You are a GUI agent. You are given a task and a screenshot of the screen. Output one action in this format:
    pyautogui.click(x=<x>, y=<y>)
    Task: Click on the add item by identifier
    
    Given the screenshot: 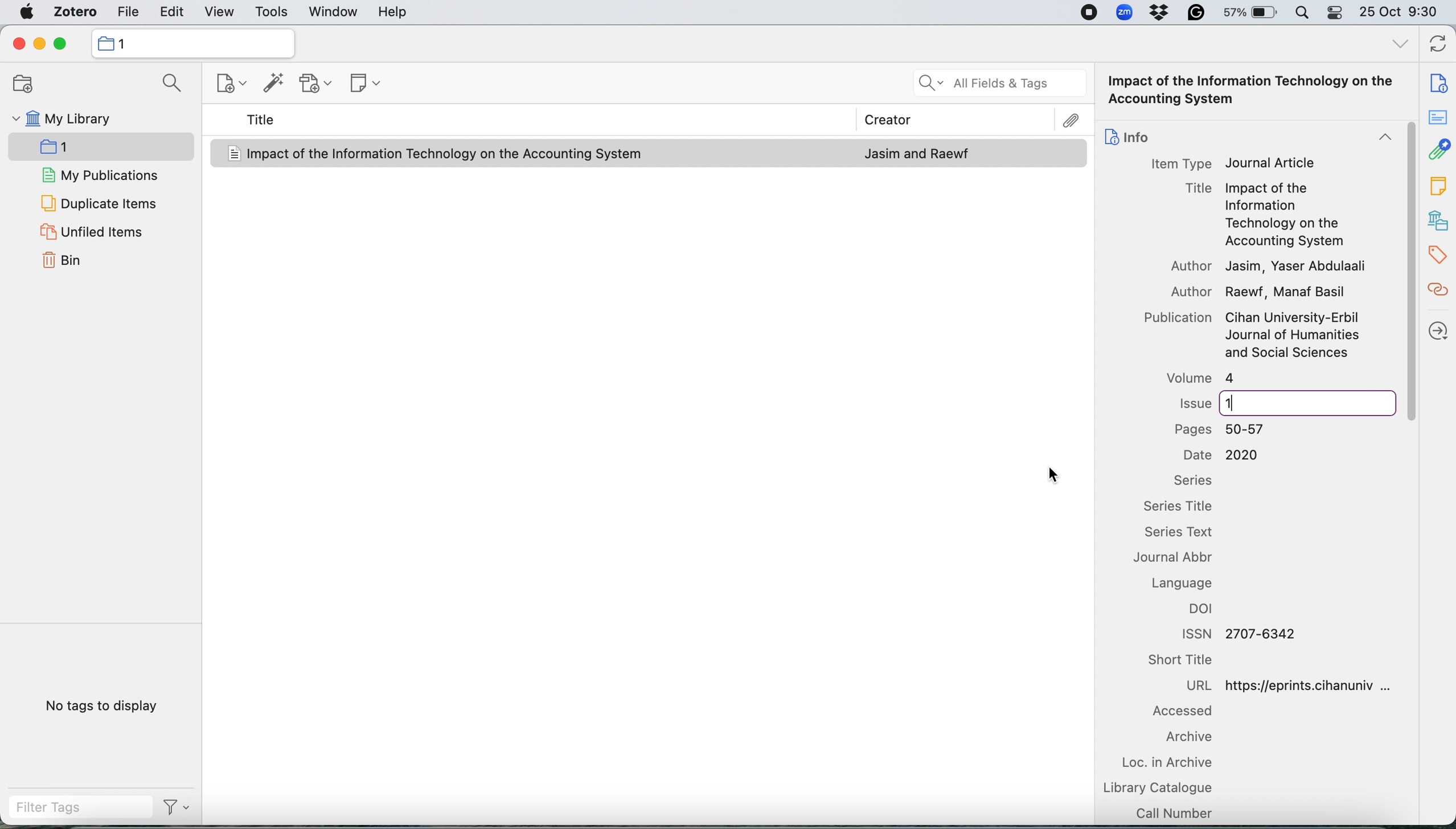 What is the action you would take?
    pyautogui.click(x=273, y=84)
    